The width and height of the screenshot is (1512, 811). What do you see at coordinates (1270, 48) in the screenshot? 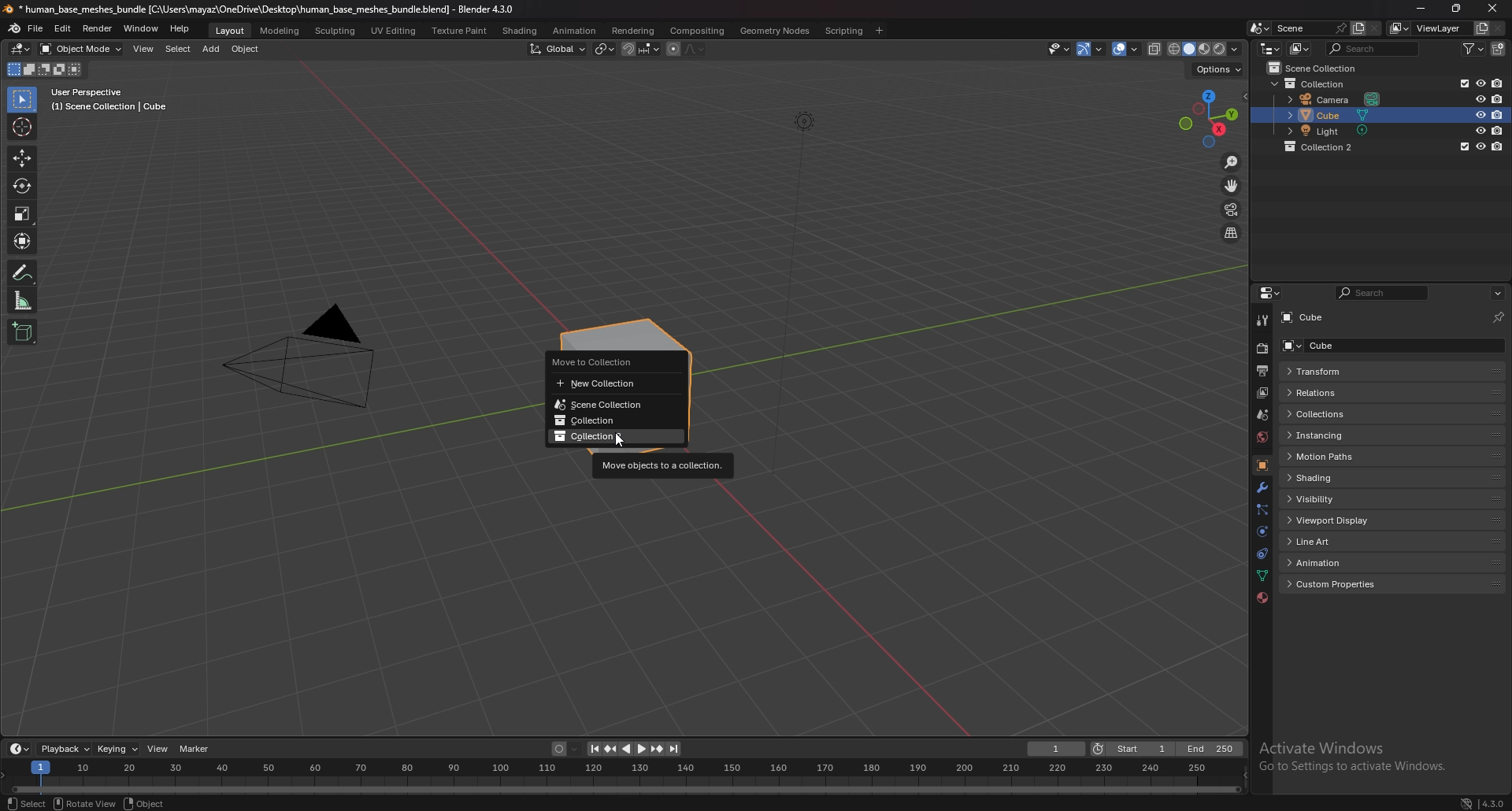
I see `editor type` at bounding box center [1270, 48].